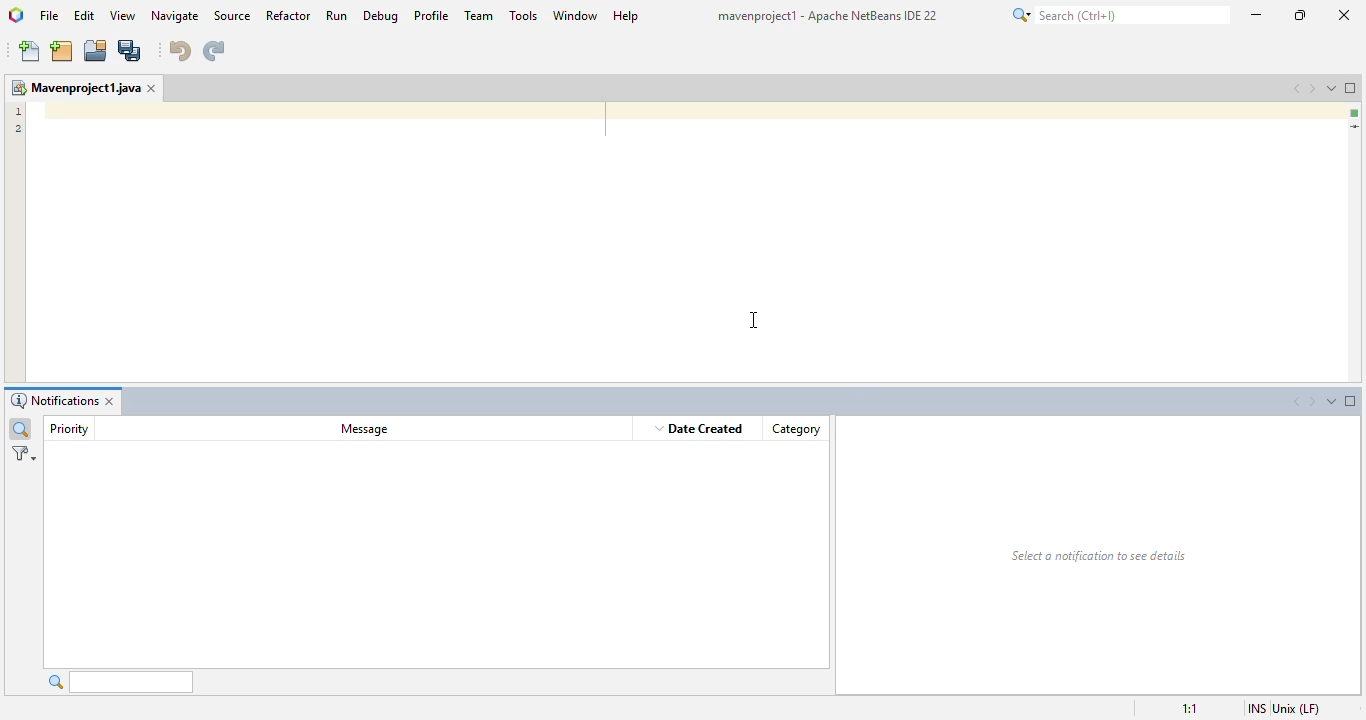 This screenshot has height=720, width=1366. Describe the element at coordinates (68, 429) in the screenshot. I see `priority` at that location.